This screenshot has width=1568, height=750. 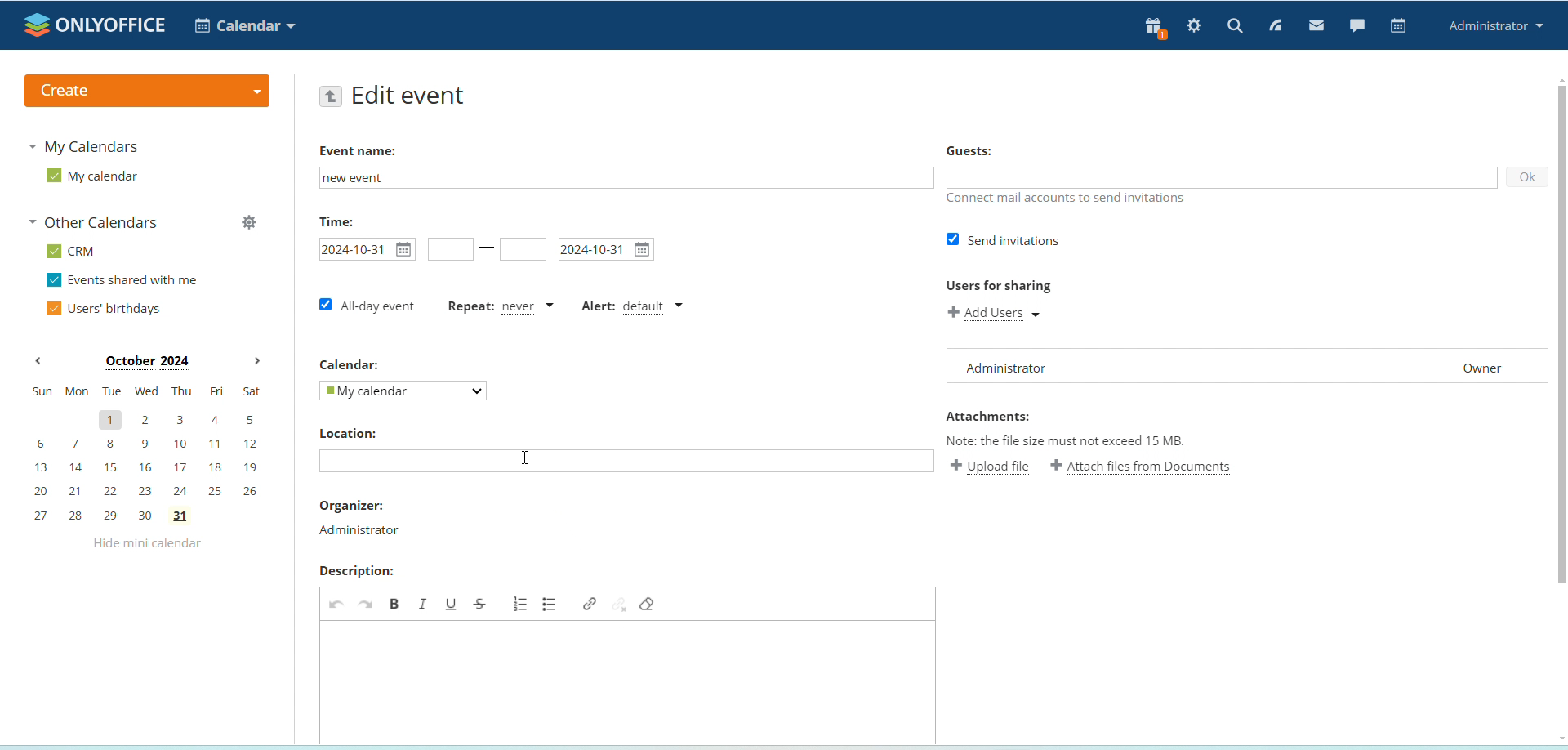 What do you see at coordinates (1497, 27) in the screenshot?
I see `administrator` at bounding box center [1497, 27].